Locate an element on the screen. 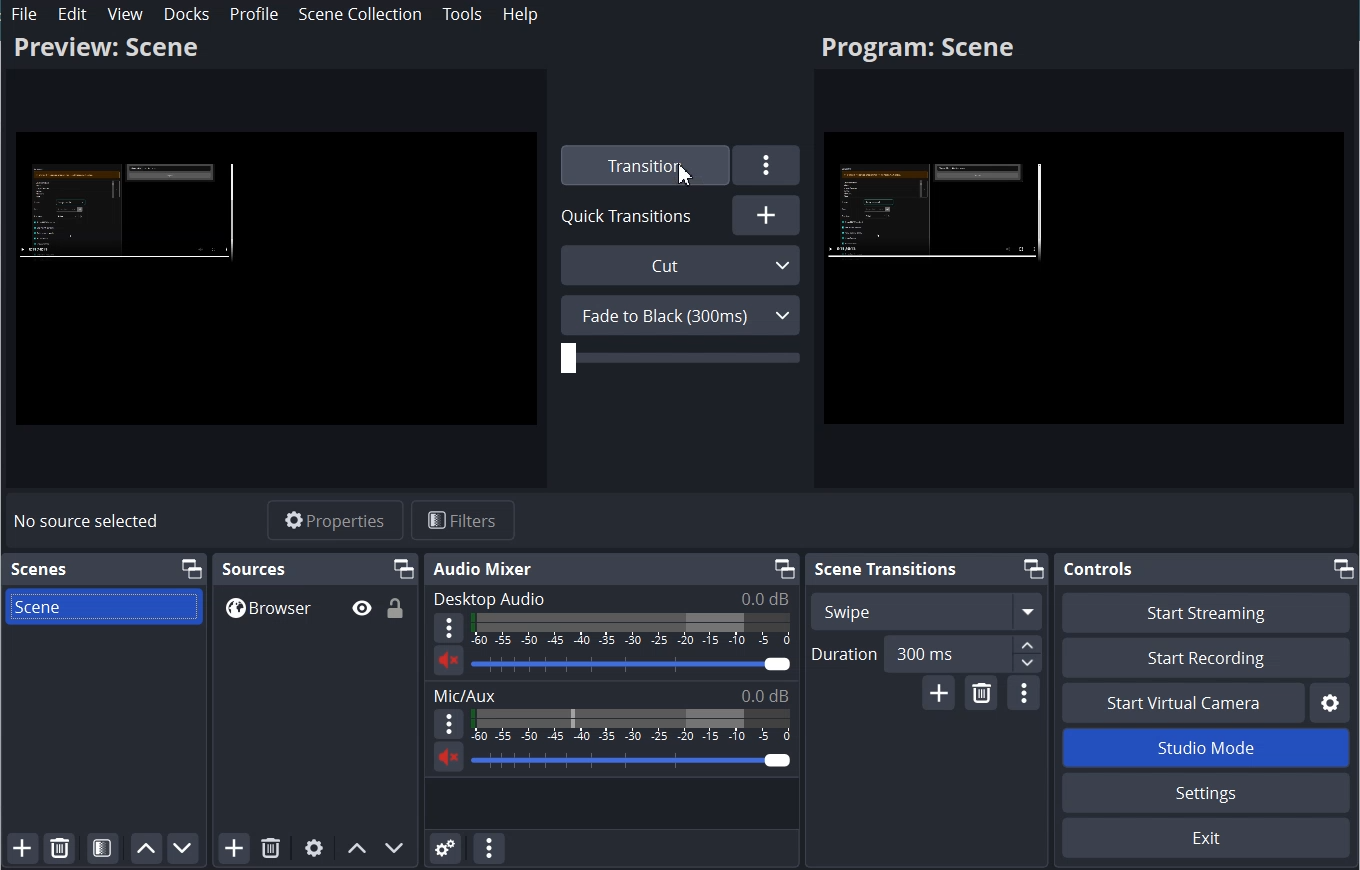 The width and height of the screenshot is (1360, 870). Fade Adjuster is located at coordinates (680, 358).